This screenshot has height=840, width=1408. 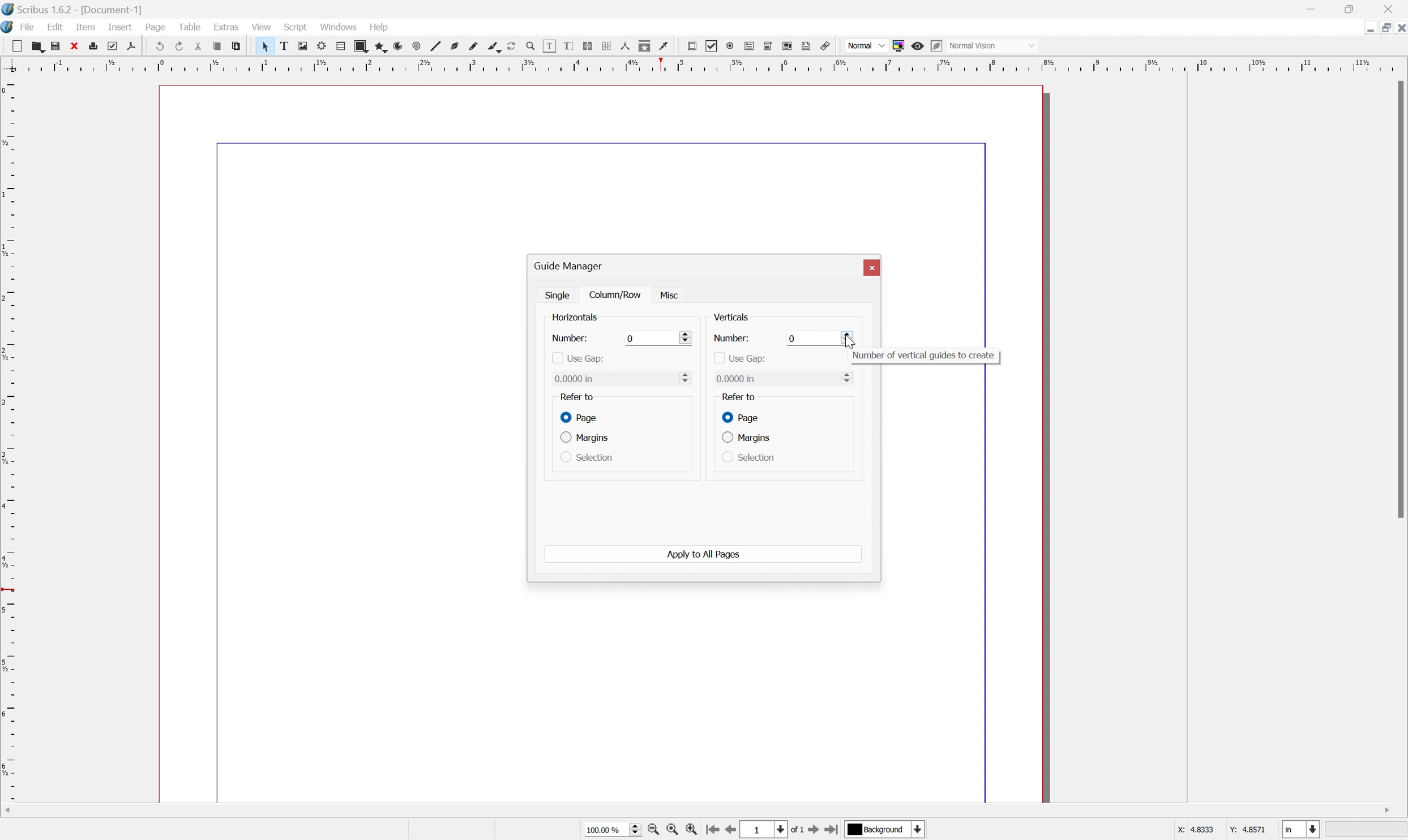 What do you see at coordinates (586, 457) in the screenshot?
I see `selection` at bounding box center [586, 457].